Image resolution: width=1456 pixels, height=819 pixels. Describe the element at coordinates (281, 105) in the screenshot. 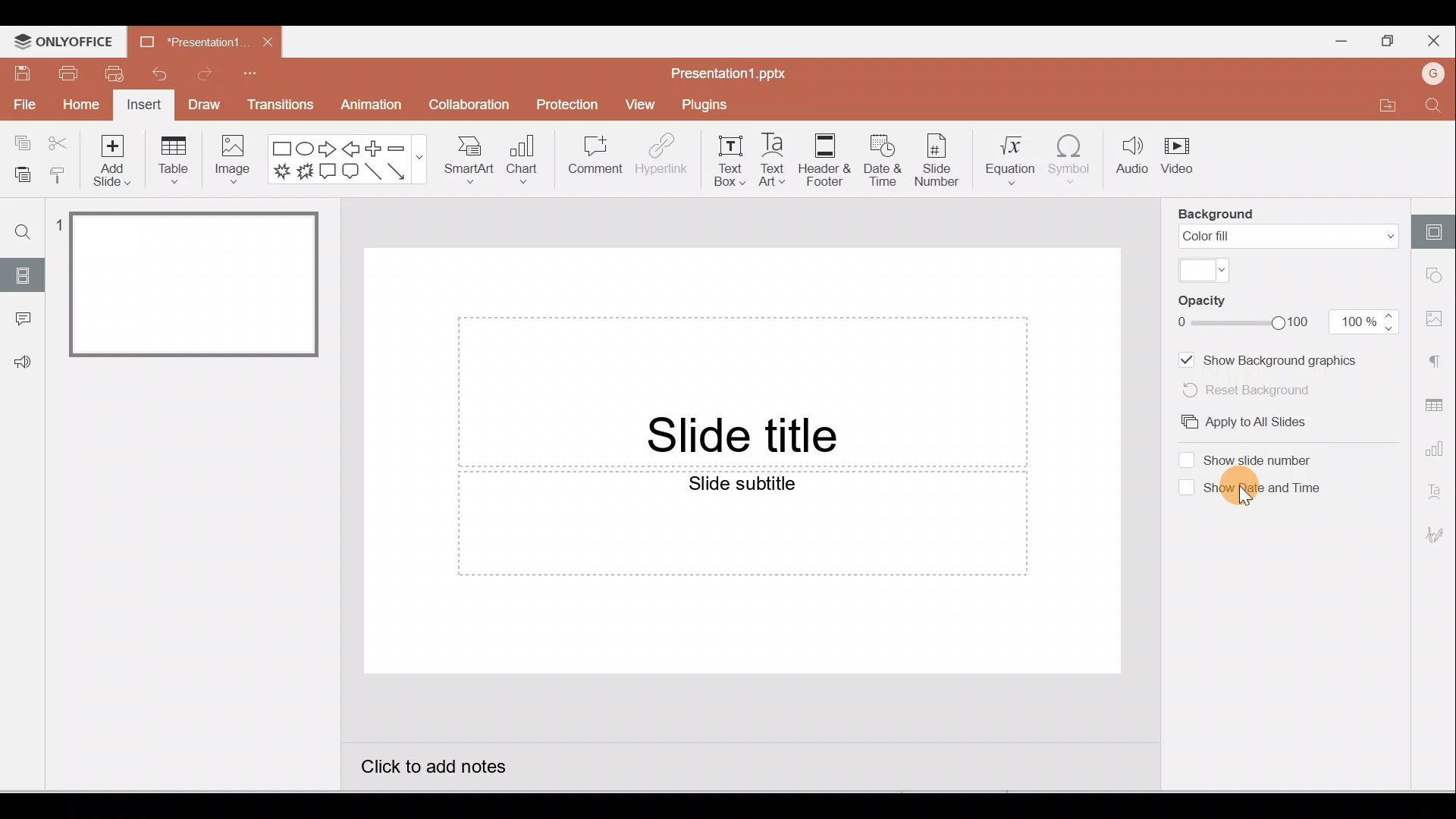

I see `Transitions` at that location.